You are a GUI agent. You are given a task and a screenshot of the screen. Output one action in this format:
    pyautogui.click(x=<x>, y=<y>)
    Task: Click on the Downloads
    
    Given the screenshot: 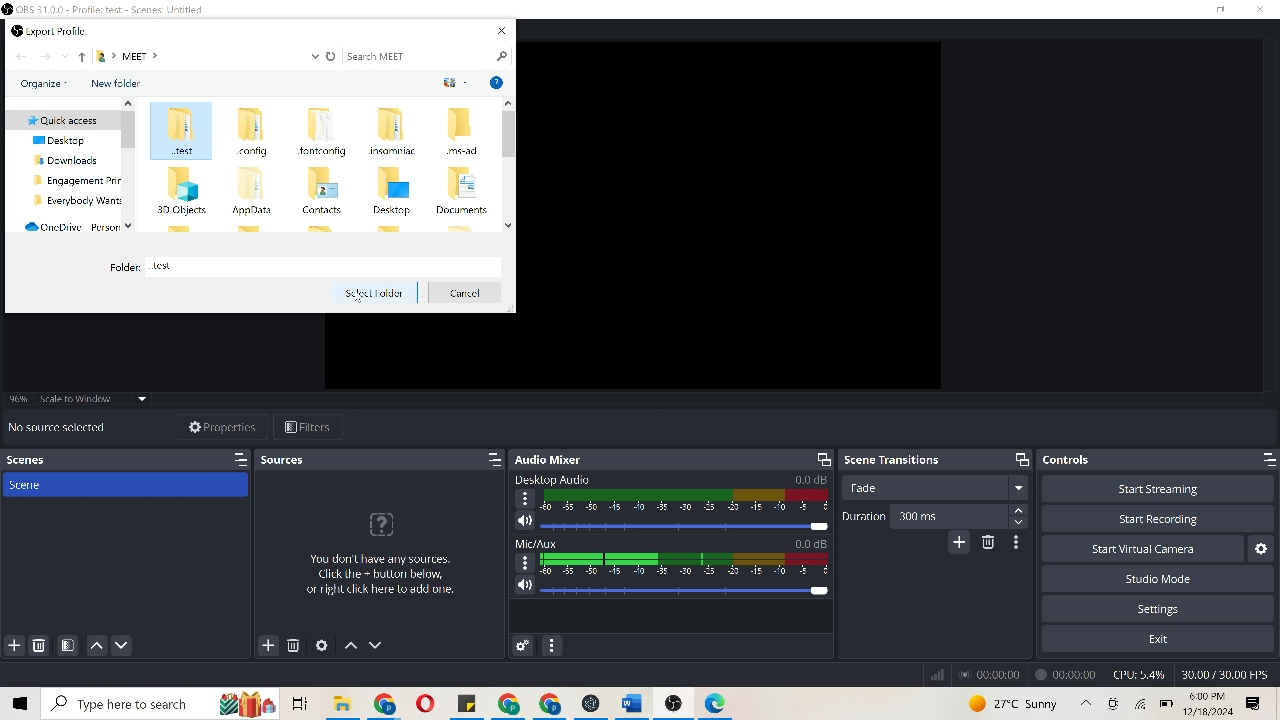 What is the action you would take?
    pyautogui.click(x=67, y=161)
    